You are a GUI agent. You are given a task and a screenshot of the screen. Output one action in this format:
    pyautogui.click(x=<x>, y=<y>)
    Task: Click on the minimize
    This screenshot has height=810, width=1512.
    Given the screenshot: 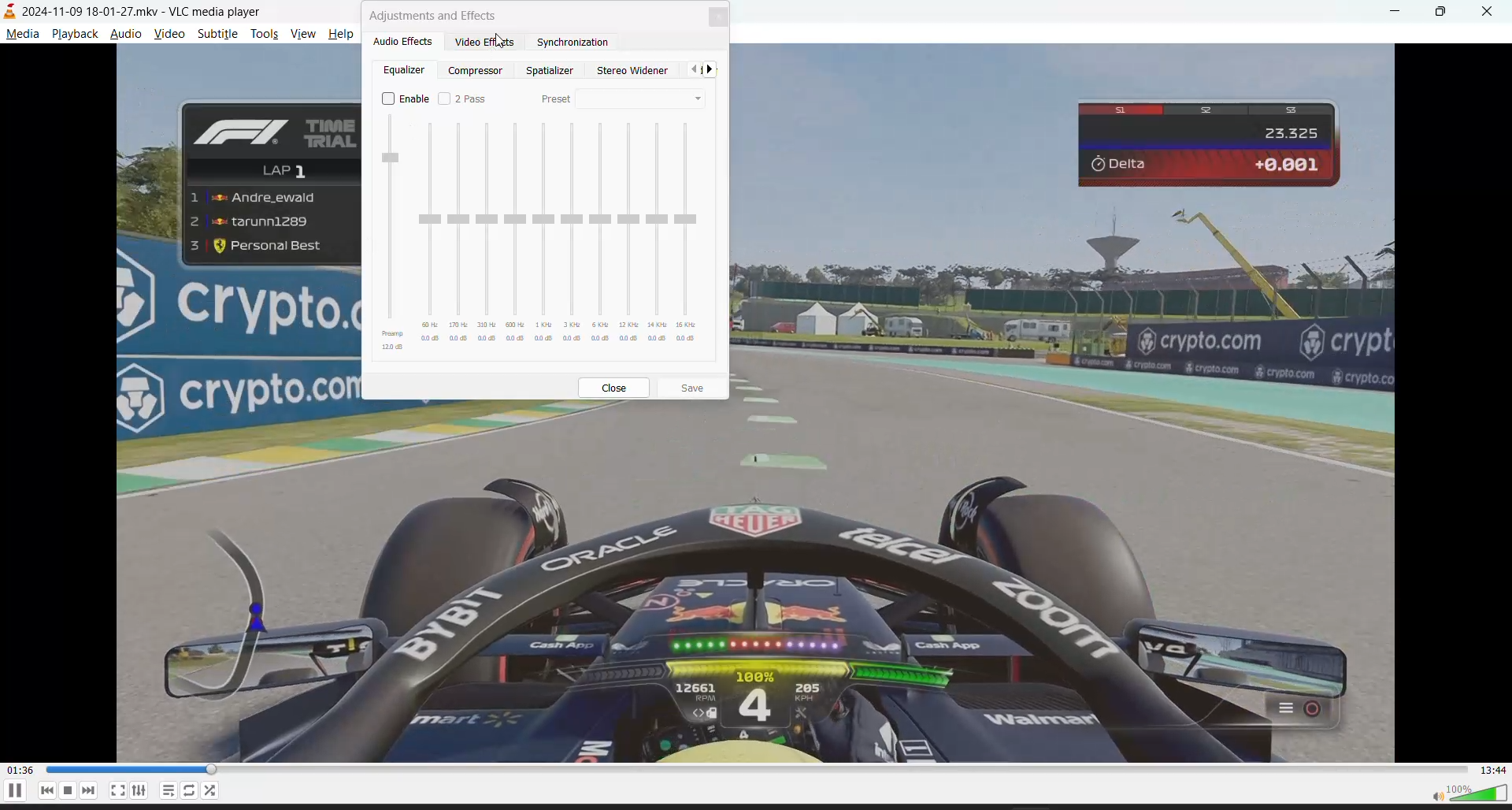 What is the action you would take?
    pyautogui.click(x=1390, y=12)
    